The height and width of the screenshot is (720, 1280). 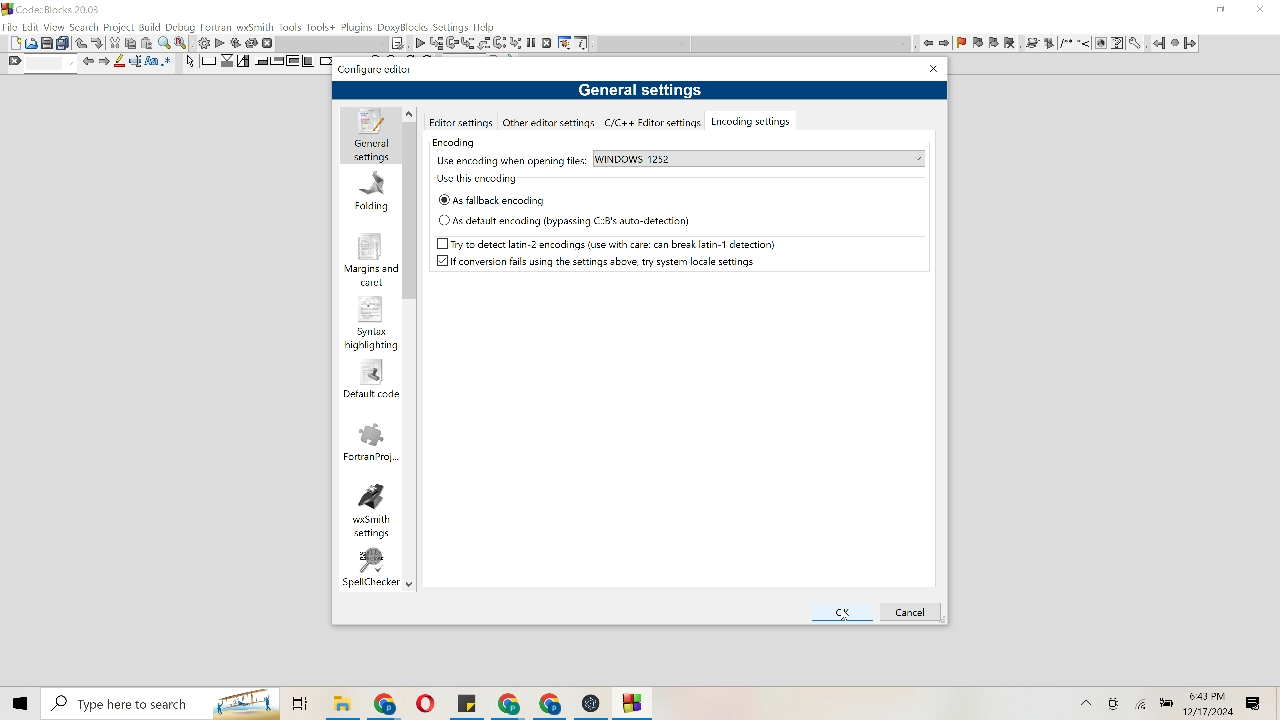 What do you see at coordinates (1073, 44) in the screenshot?
I see `changes to image` at bounding box center [1073, 44].